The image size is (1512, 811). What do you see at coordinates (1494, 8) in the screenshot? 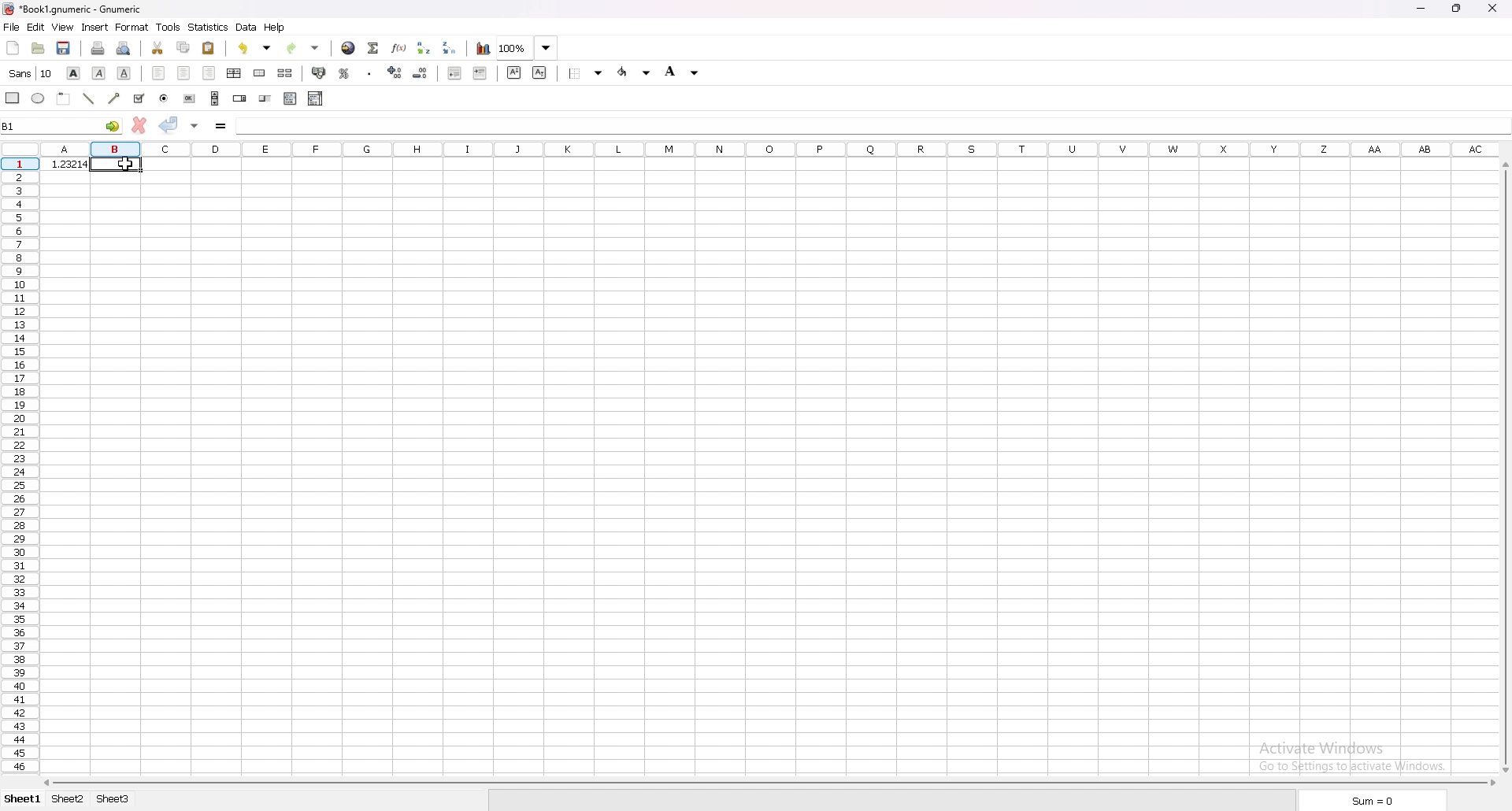
I see `close` at bounding box center [1494, 8].